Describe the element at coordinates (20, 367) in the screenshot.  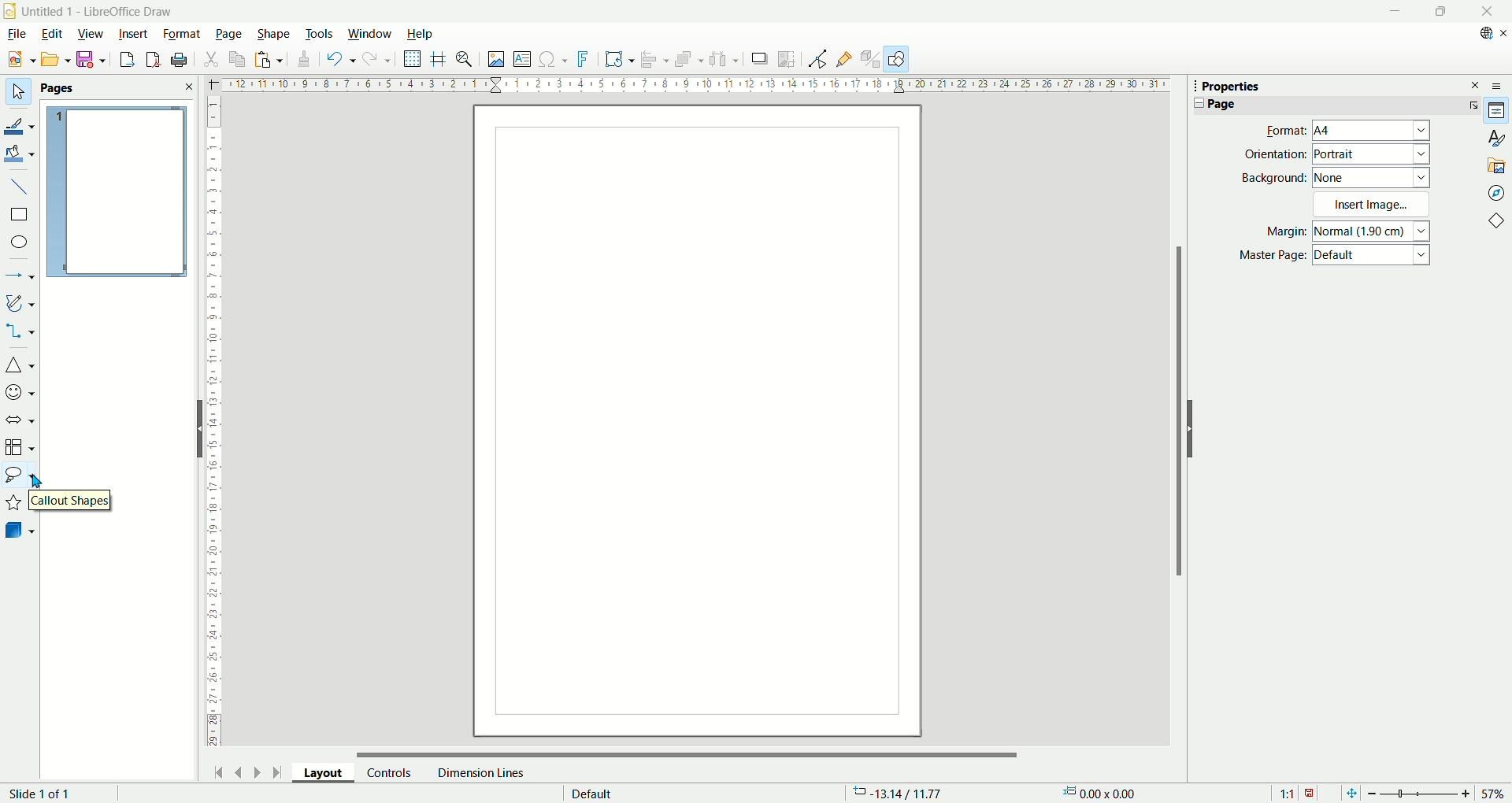
I see `basic shapes` at that location.